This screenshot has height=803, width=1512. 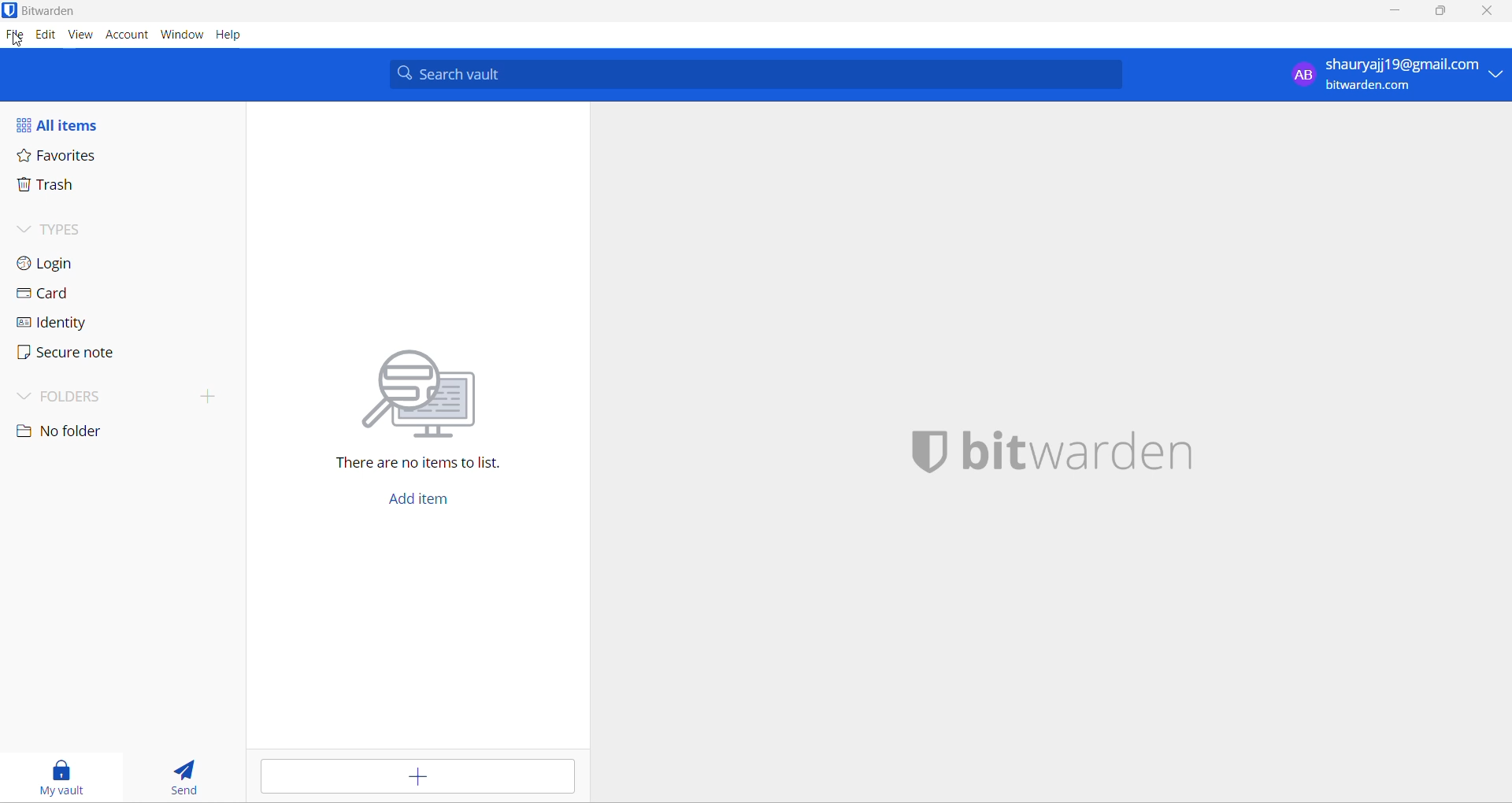 What do you see at coordinates (69, 231) in the screenshot?
I see `types` at bounding box center [69, 231].